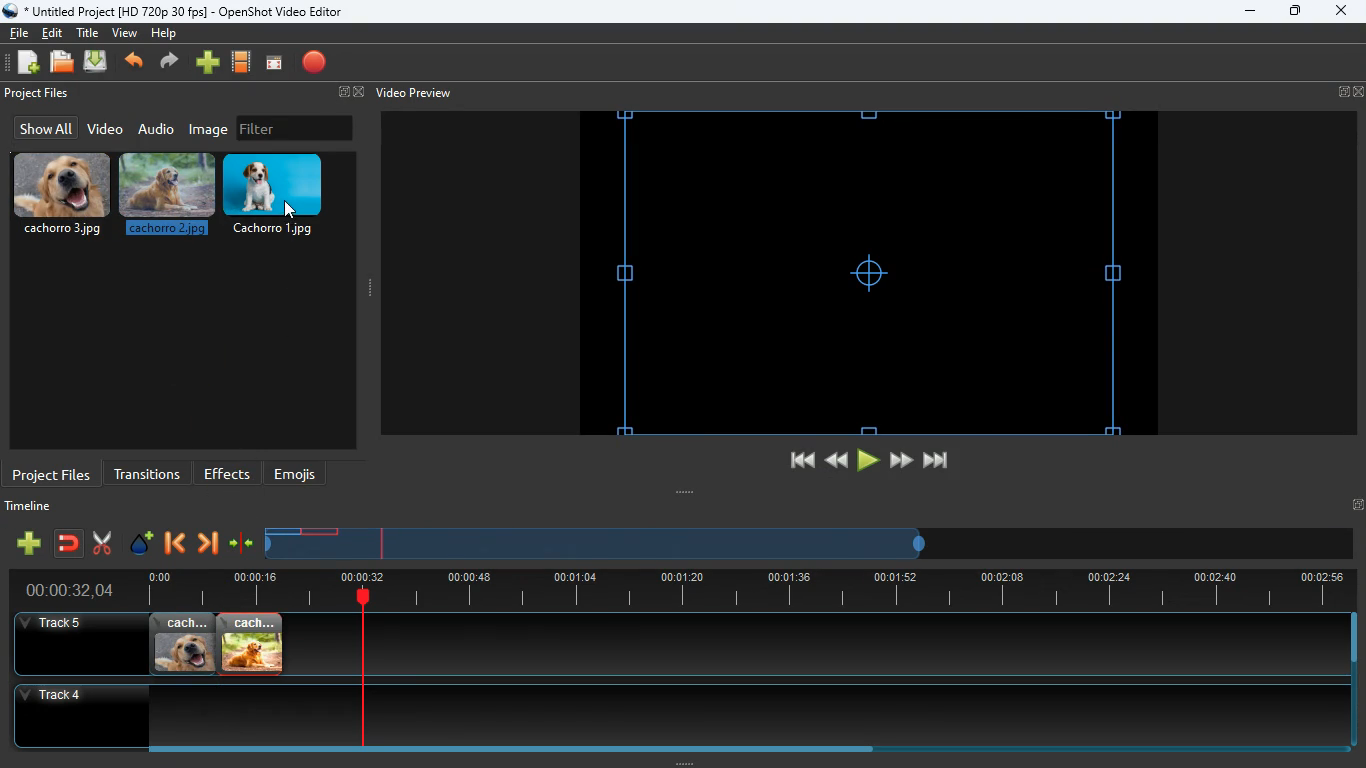  What do you see at coordinates (252, 644) in the screenshot?
I see `cachorro.2.jpg` at bounding box center [252, 644].